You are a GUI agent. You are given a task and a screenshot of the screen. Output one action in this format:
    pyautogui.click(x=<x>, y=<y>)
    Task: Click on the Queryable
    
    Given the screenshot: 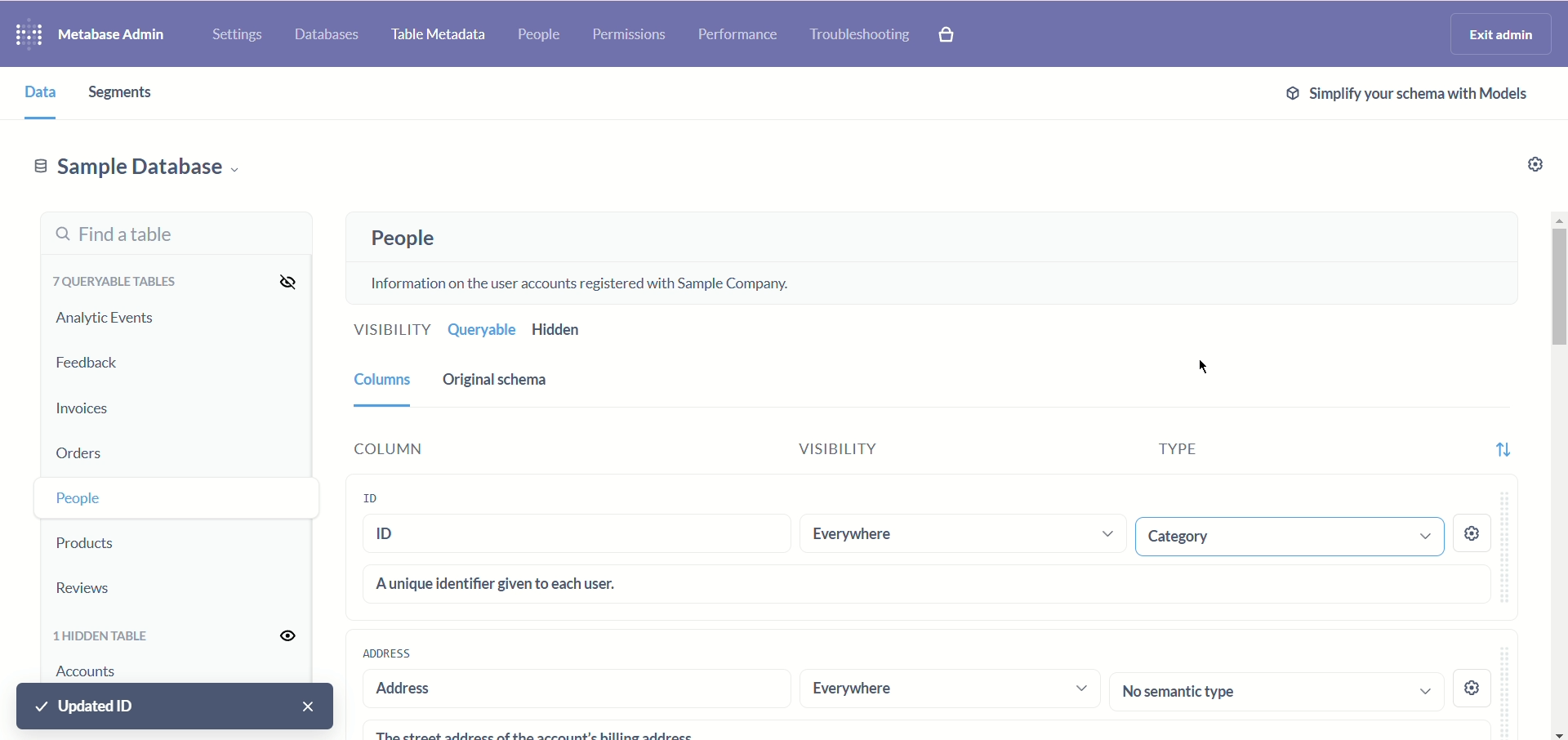 What is the action you would take?
    pyautogui.click(x=479, y=330)
    